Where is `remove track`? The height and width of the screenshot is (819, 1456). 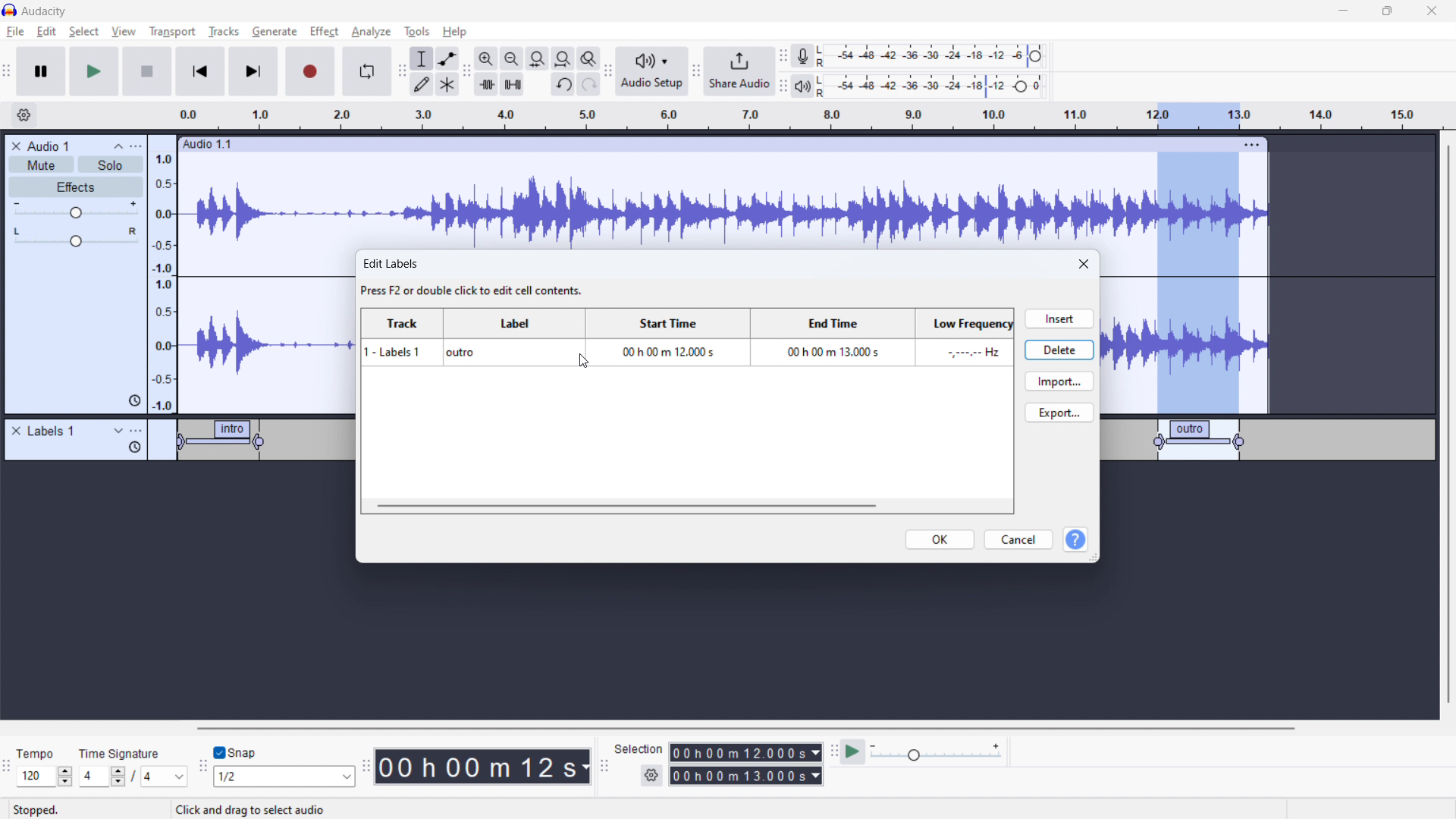 remove track is located at coordinates (16, 146).